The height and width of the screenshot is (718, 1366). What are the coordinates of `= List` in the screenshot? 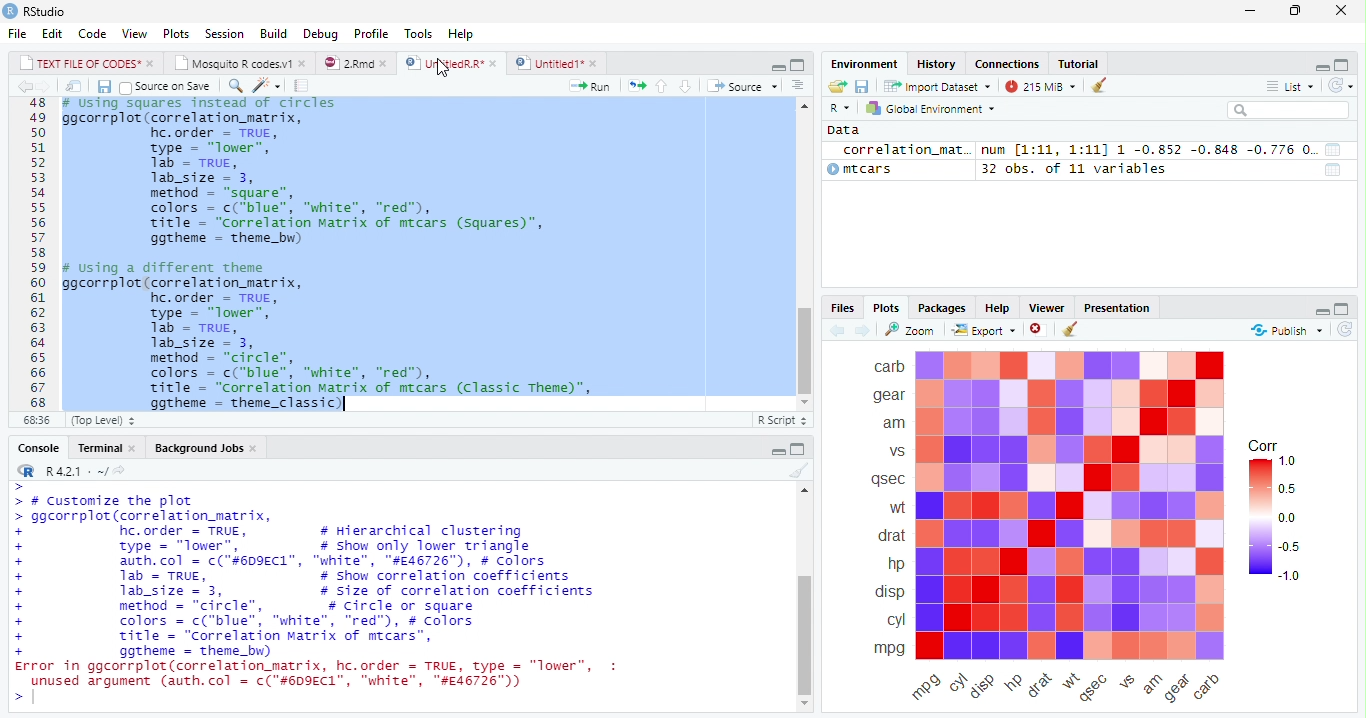 It's located at (1292, 87).